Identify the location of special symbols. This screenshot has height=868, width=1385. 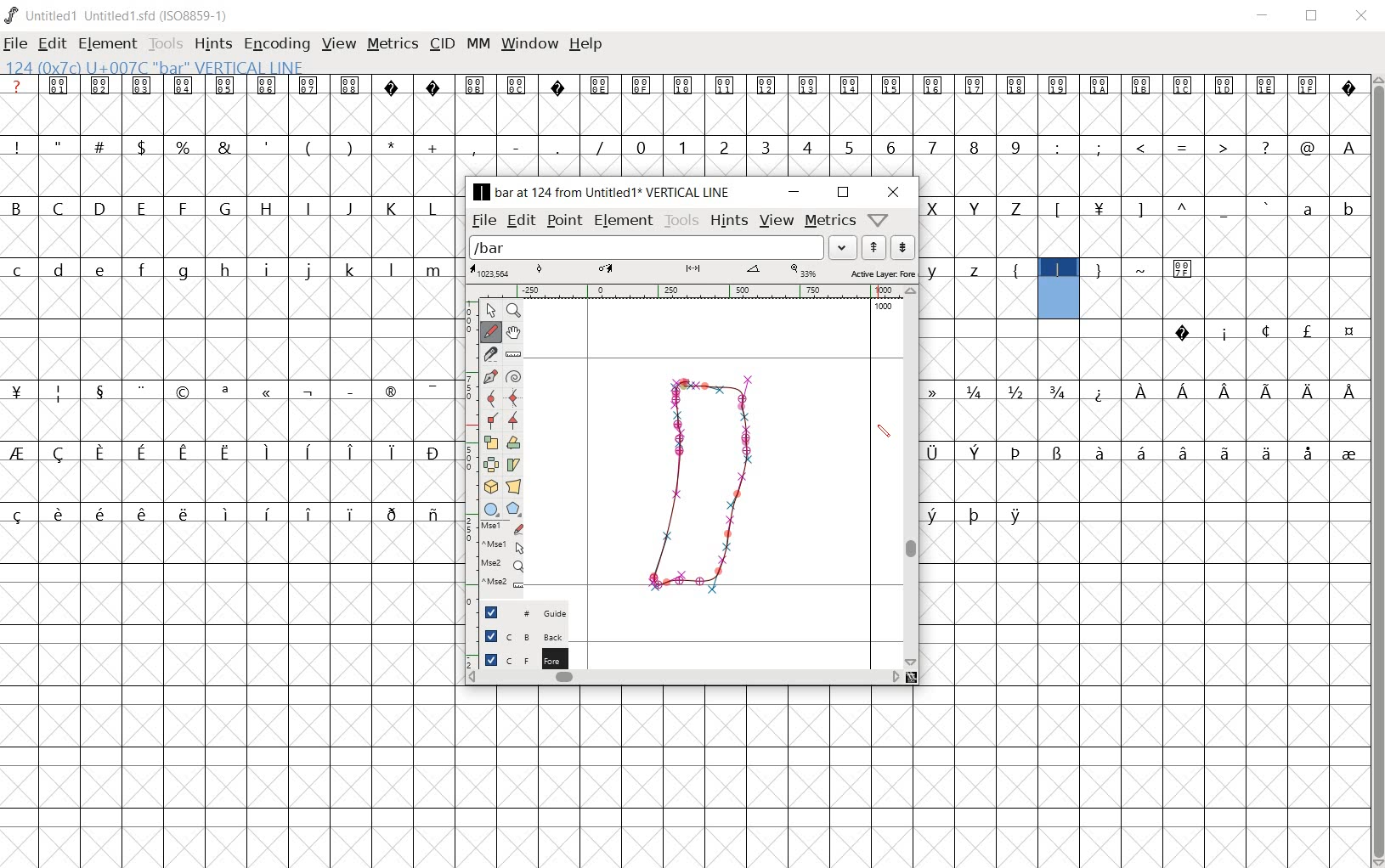
(685, 86).